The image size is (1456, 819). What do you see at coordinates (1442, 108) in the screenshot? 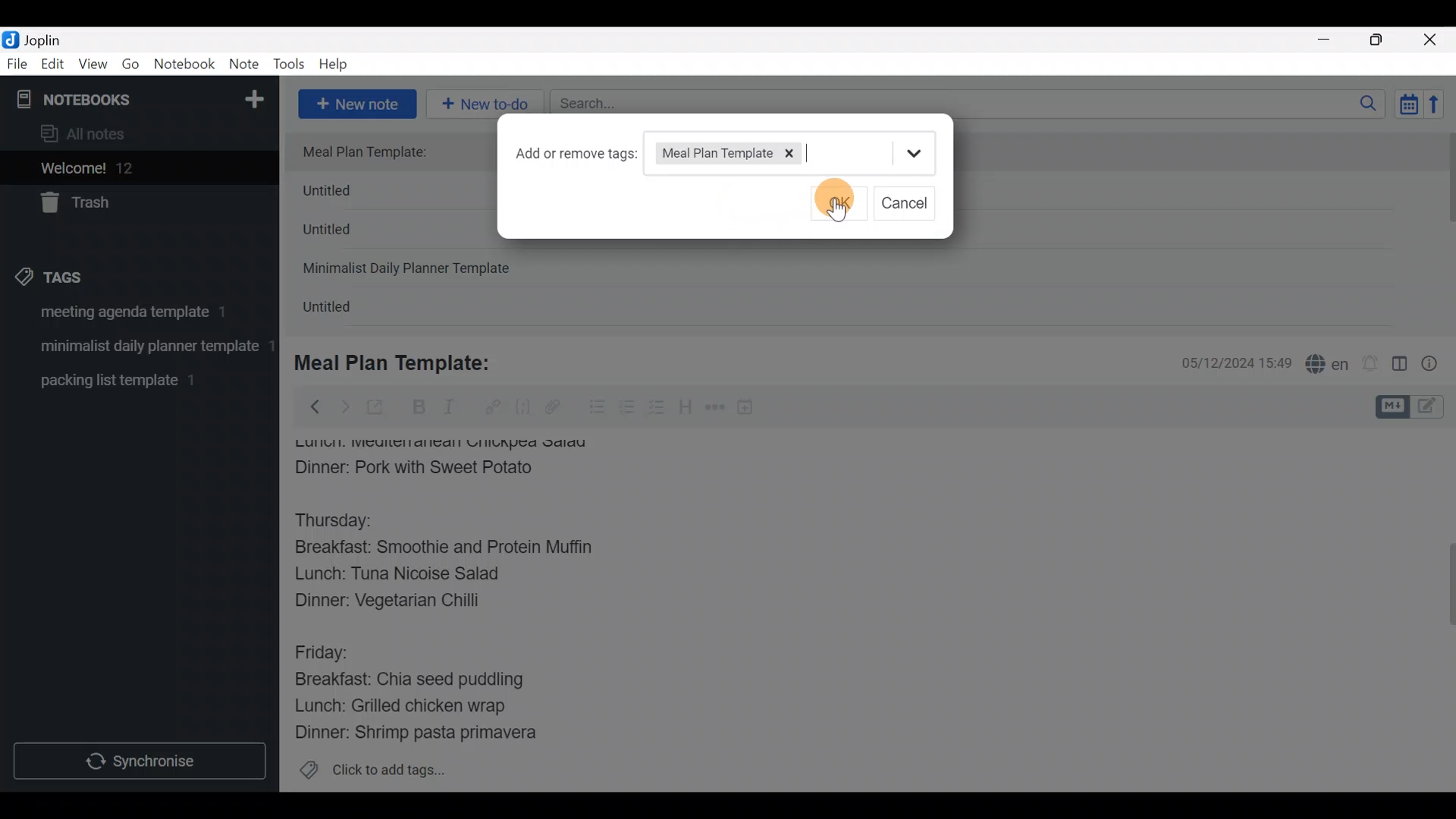
I see `Reverse sort` at bounding box center [1442, 108].